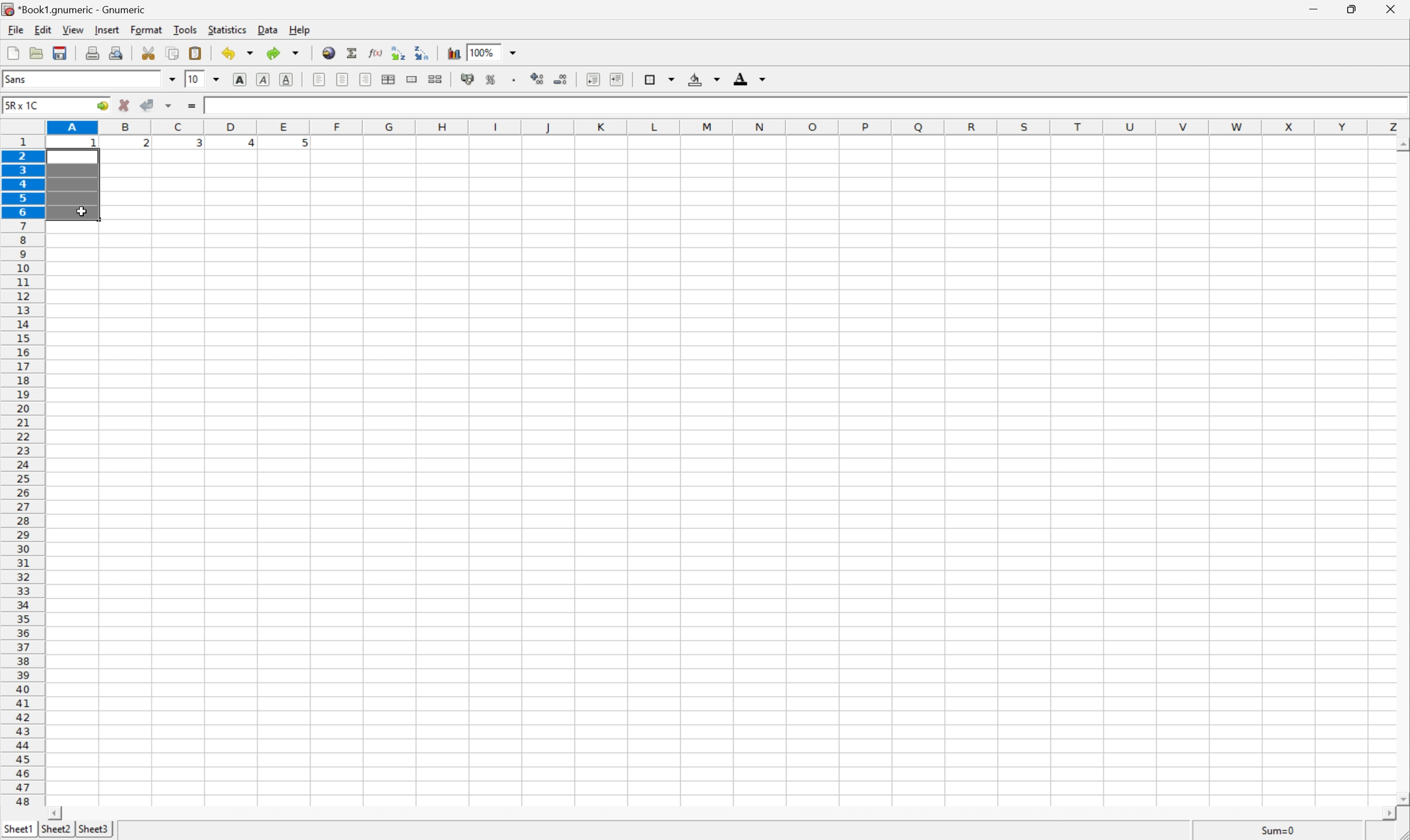  What do you see at coordinates (58, 813) in the screenshot?
I see `scroll left` at bounding box center [58, 813].